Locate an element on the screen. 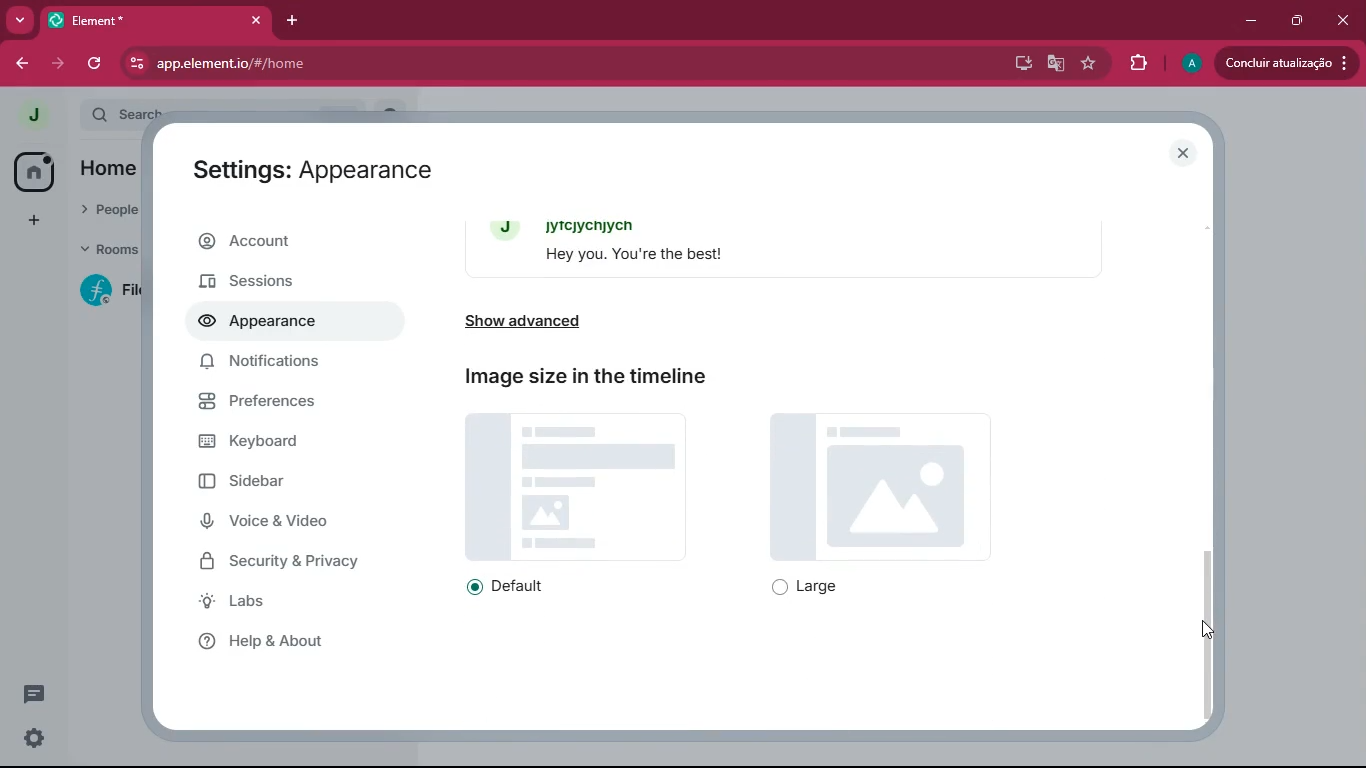 The width and height of the screenshot is (1366, 768). close is located at coordinates (1340, 19).